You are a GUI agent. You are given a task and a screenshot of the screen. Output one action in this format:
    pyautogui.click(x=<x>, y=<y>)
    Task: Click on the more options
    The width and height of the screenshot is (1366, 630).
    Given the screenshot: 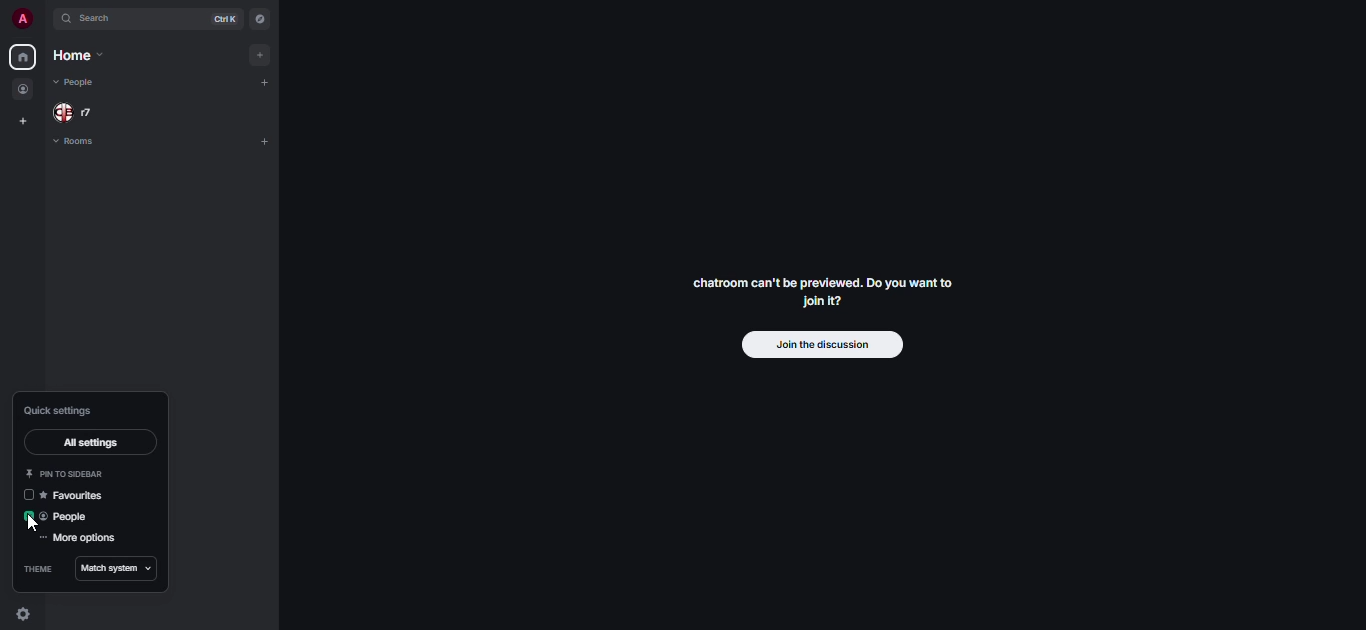 What is the action you would take?
    pyautogui.click(x=79, y=539)
    